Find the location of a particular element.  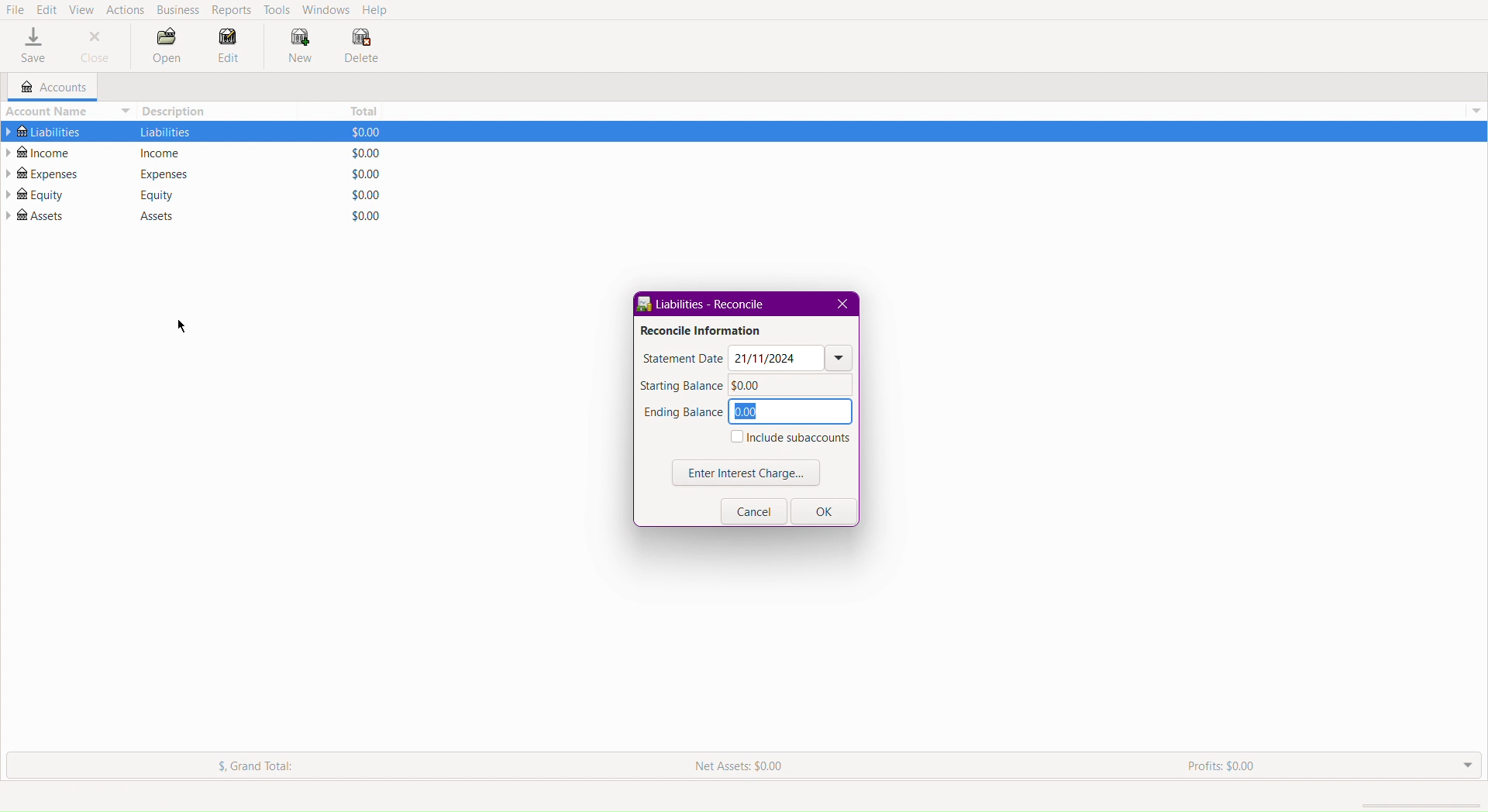

Description is located at coordinates (158, 215).